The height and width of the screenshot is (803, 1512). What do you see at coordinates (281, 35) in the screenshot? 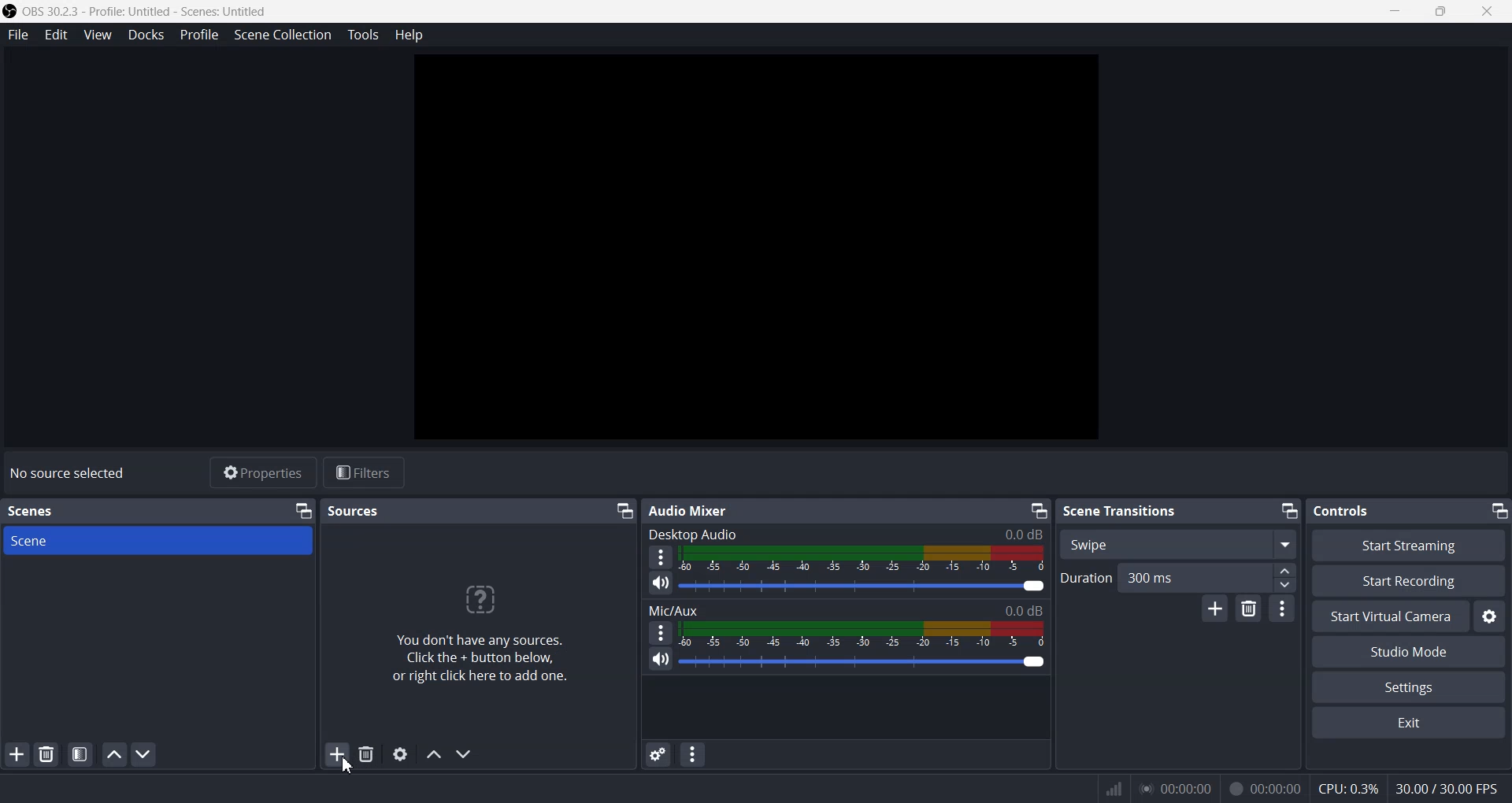
I see `Scene Collection` at bounding box center [281, 35].